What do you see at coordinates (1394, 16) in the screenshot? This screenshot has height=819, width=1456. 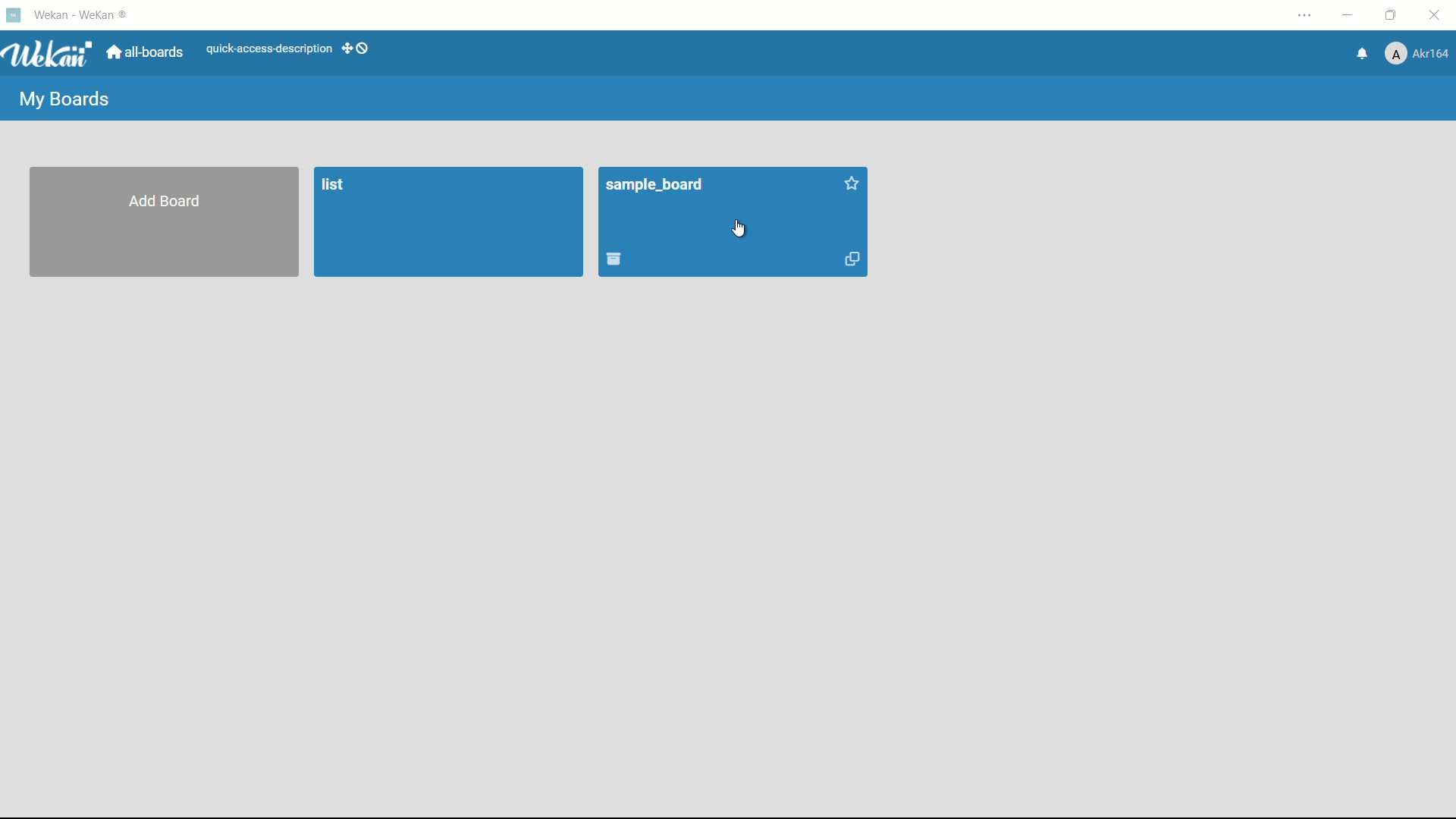 I see `maximize` at bounding box center [1394, 16].